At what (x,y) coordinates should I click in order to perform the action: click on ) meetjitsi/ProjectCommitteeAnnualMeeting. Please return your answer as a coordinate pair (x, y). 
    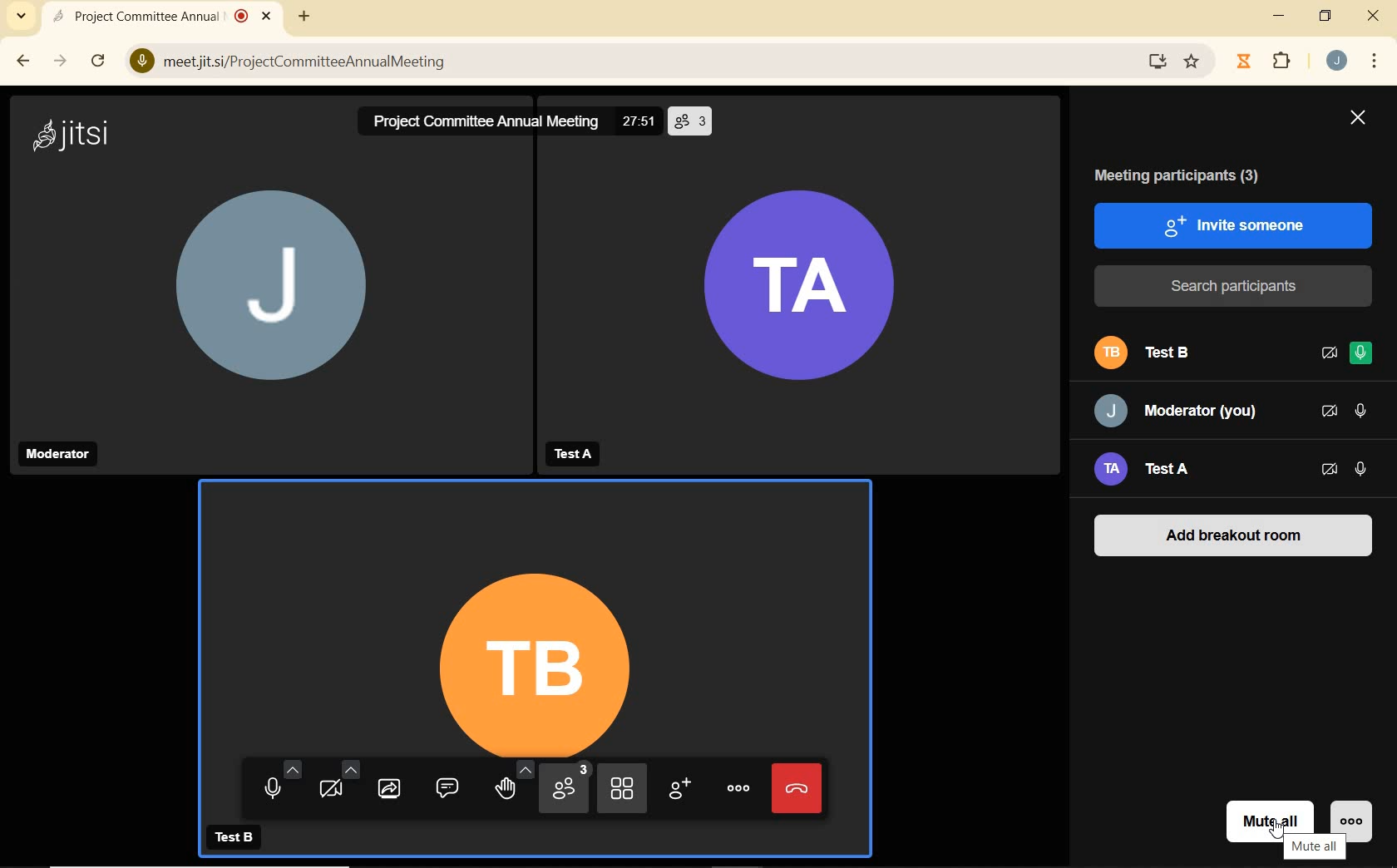
    Looking at the image, I should click on (632, 65).